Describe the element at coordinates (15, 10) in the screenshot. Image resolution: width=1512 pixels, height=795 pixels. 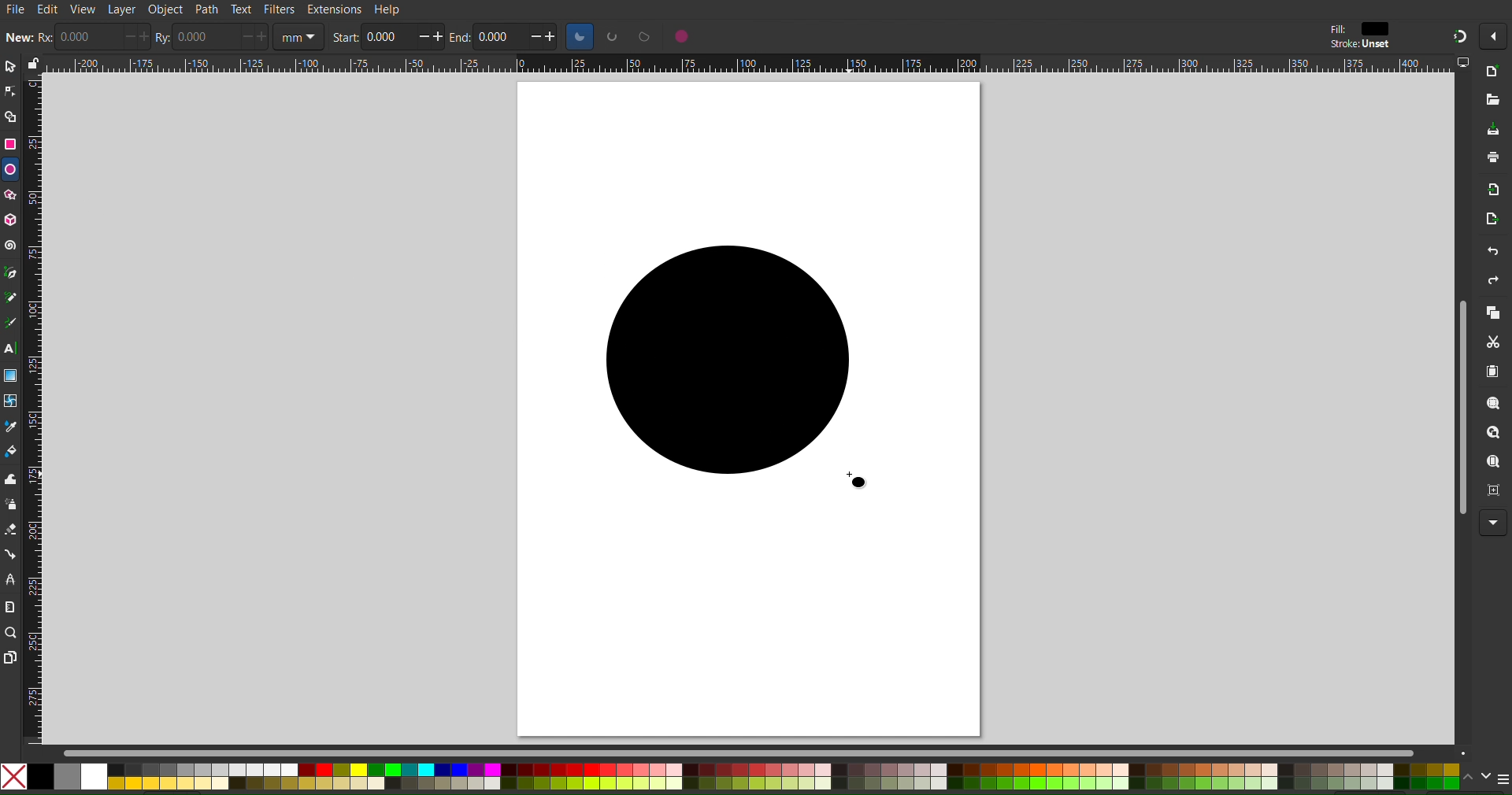
I see `File` at that location.